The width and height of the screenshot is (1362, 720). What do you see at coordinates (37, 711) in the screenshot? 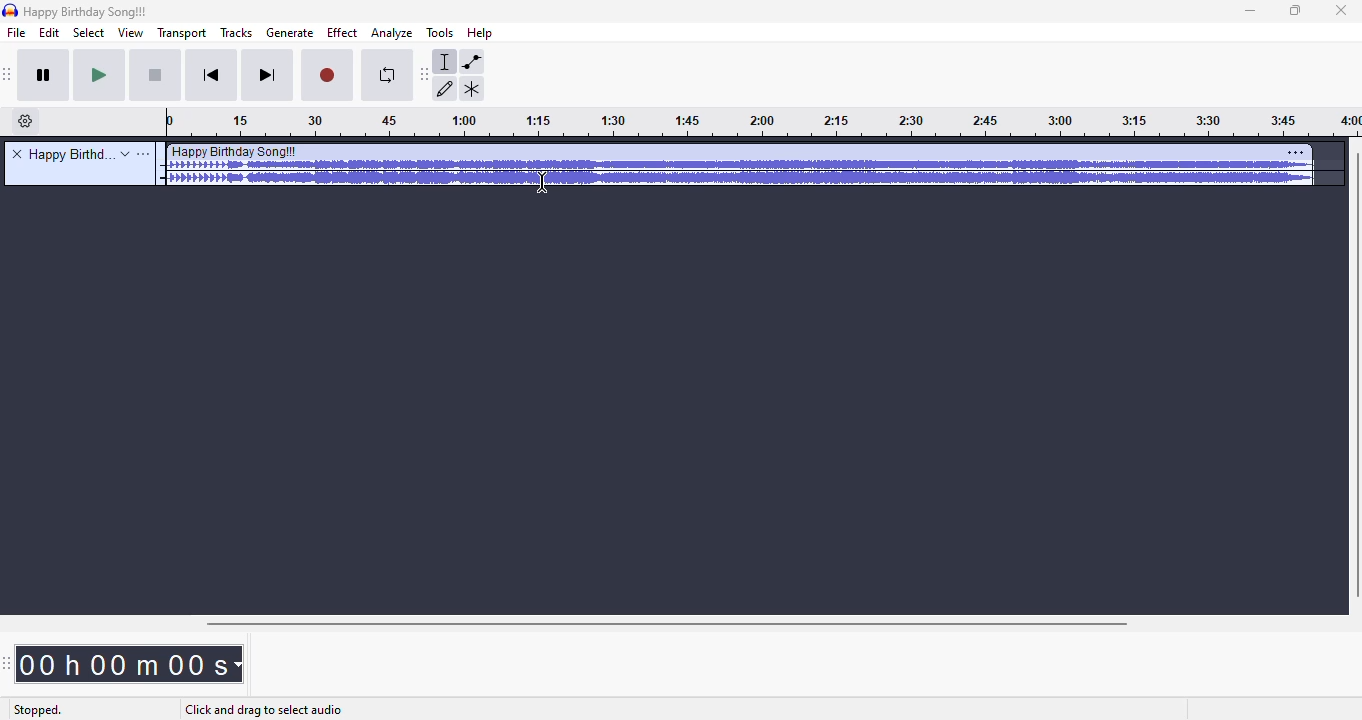
I see `stopped.` at bounding box center [37, 711].